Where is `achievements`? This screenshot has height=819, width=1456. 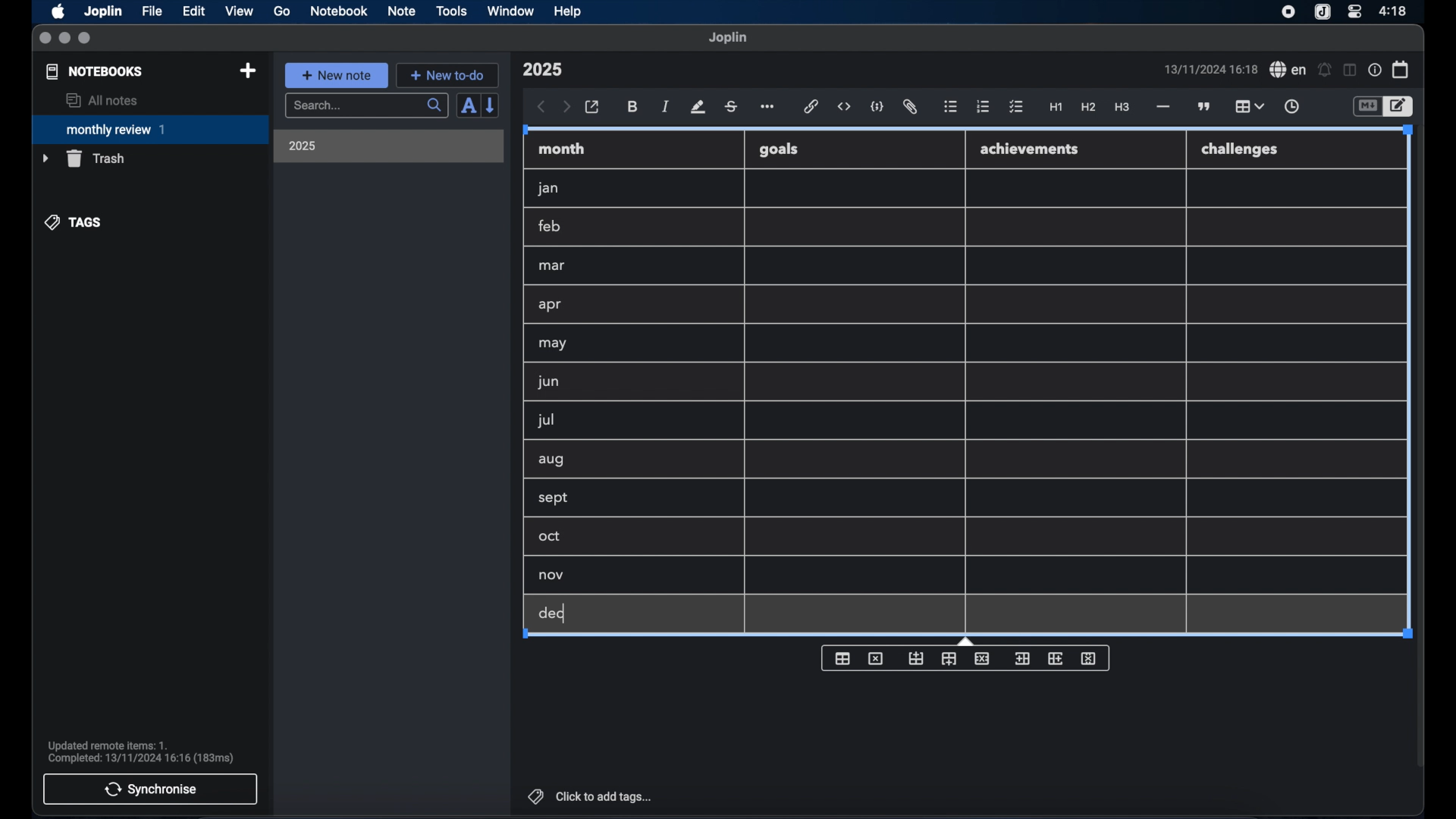
achievements is located at coordinates (1034, 149).